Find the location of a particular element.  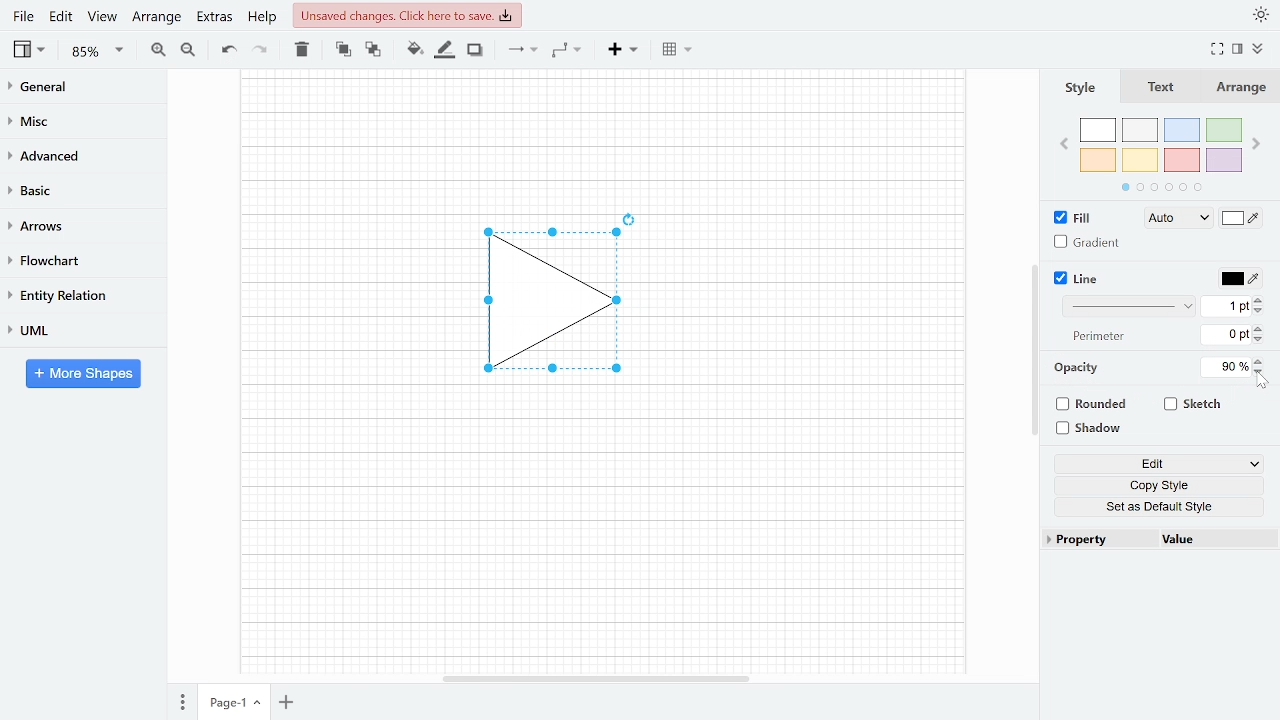

Pages is located at coordinates (181, 704).